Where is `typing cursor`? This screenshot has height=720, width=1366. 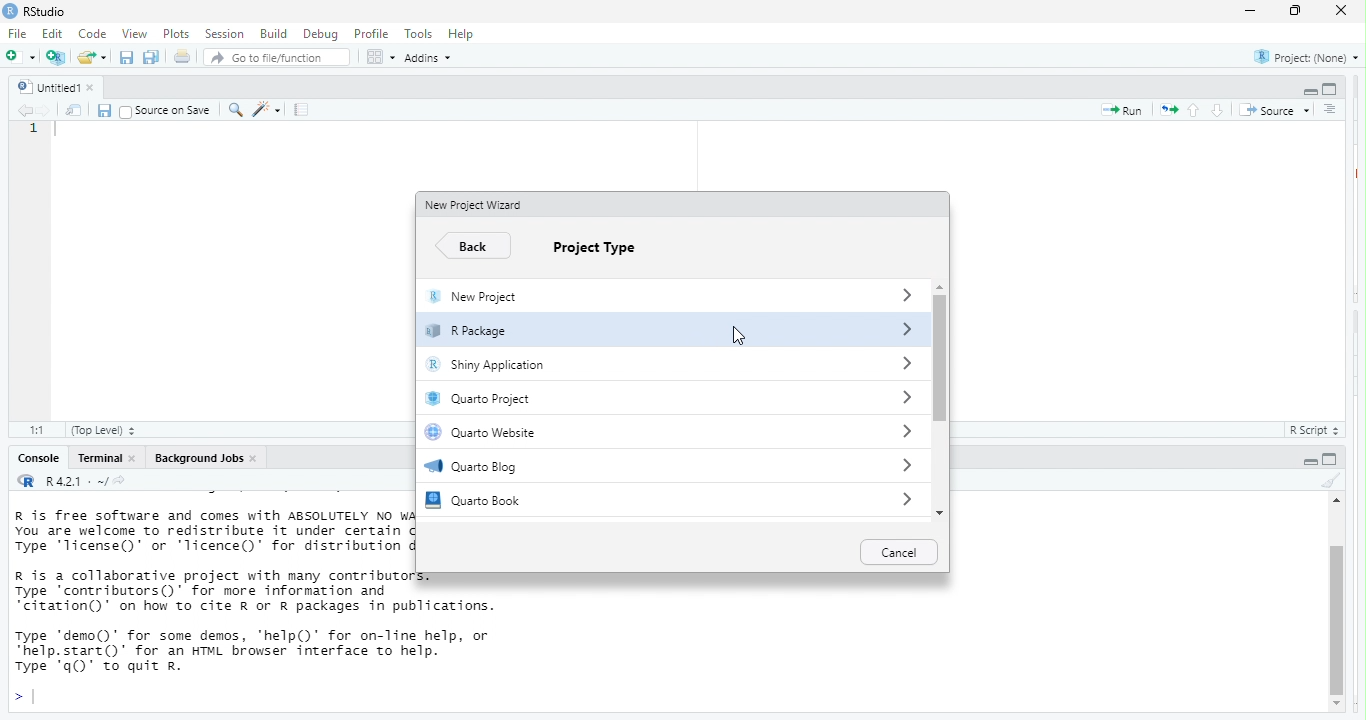
typing cursor is located at coordinates (61, 134).